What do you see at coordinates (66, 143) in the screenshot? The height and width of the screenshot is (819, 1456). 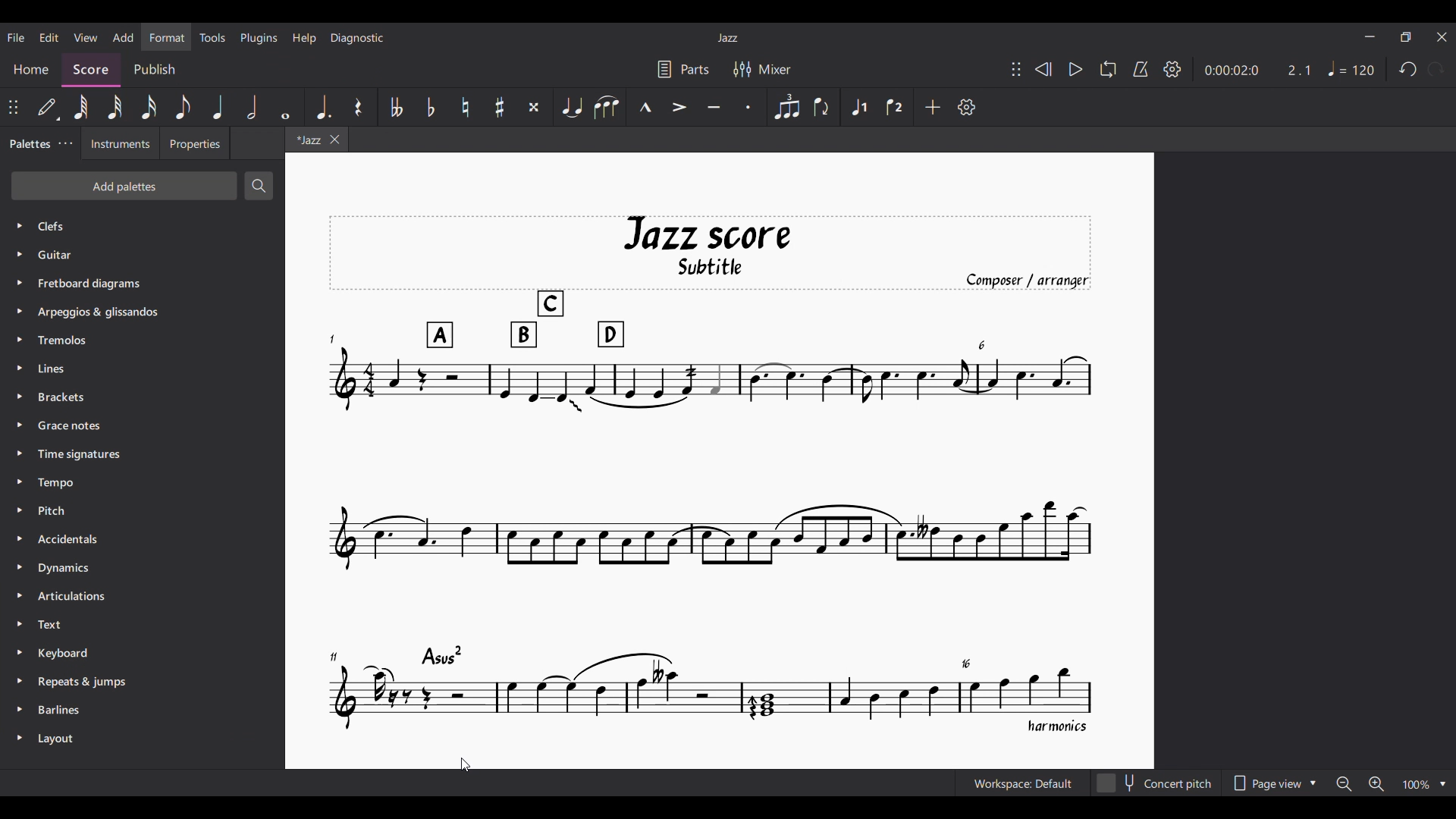 I see `Palette settings` at bounding box center [66, 143].